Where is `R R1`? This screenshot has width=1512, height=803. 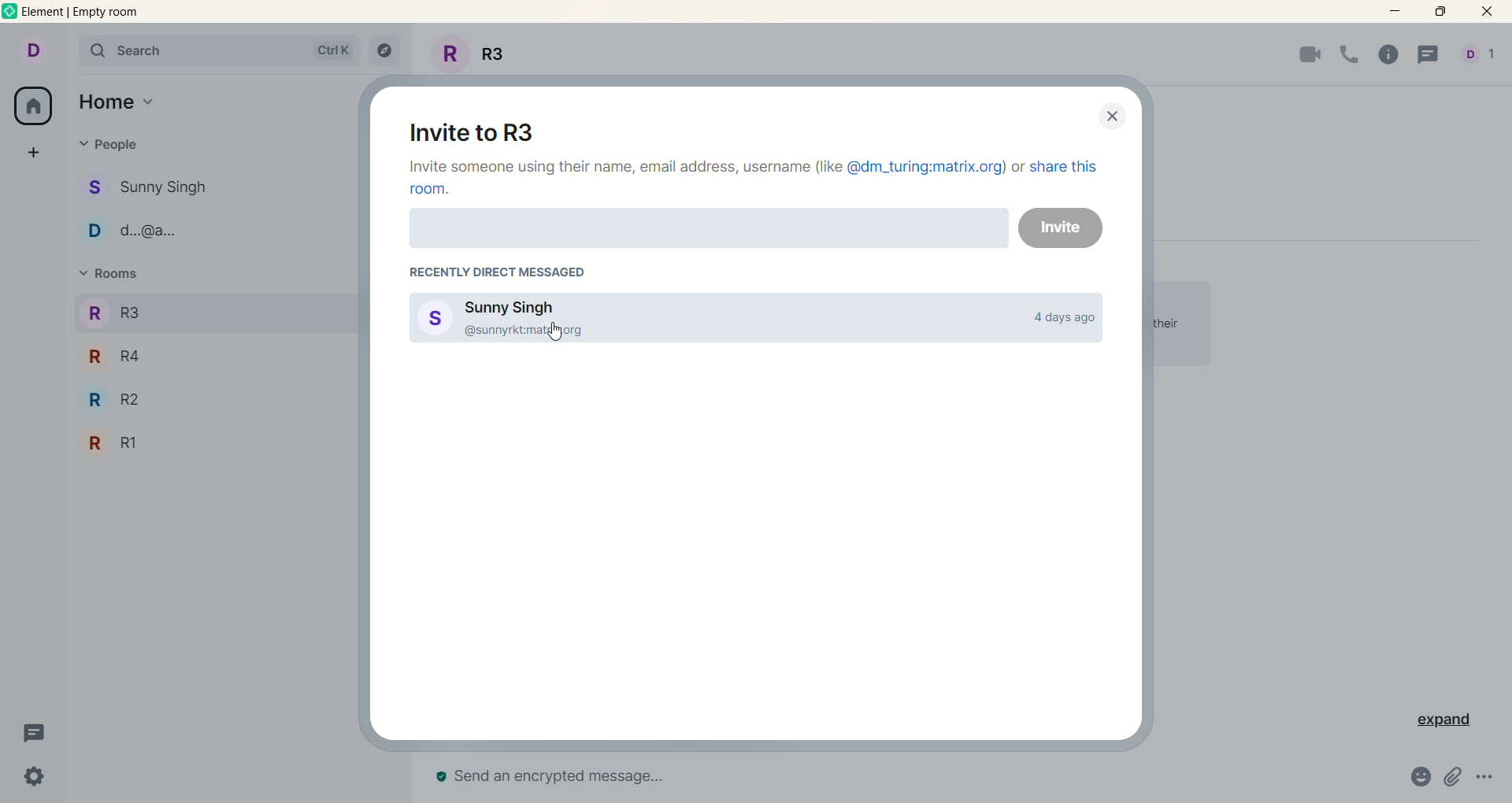
R R1 is located at coordinates (113, 442).